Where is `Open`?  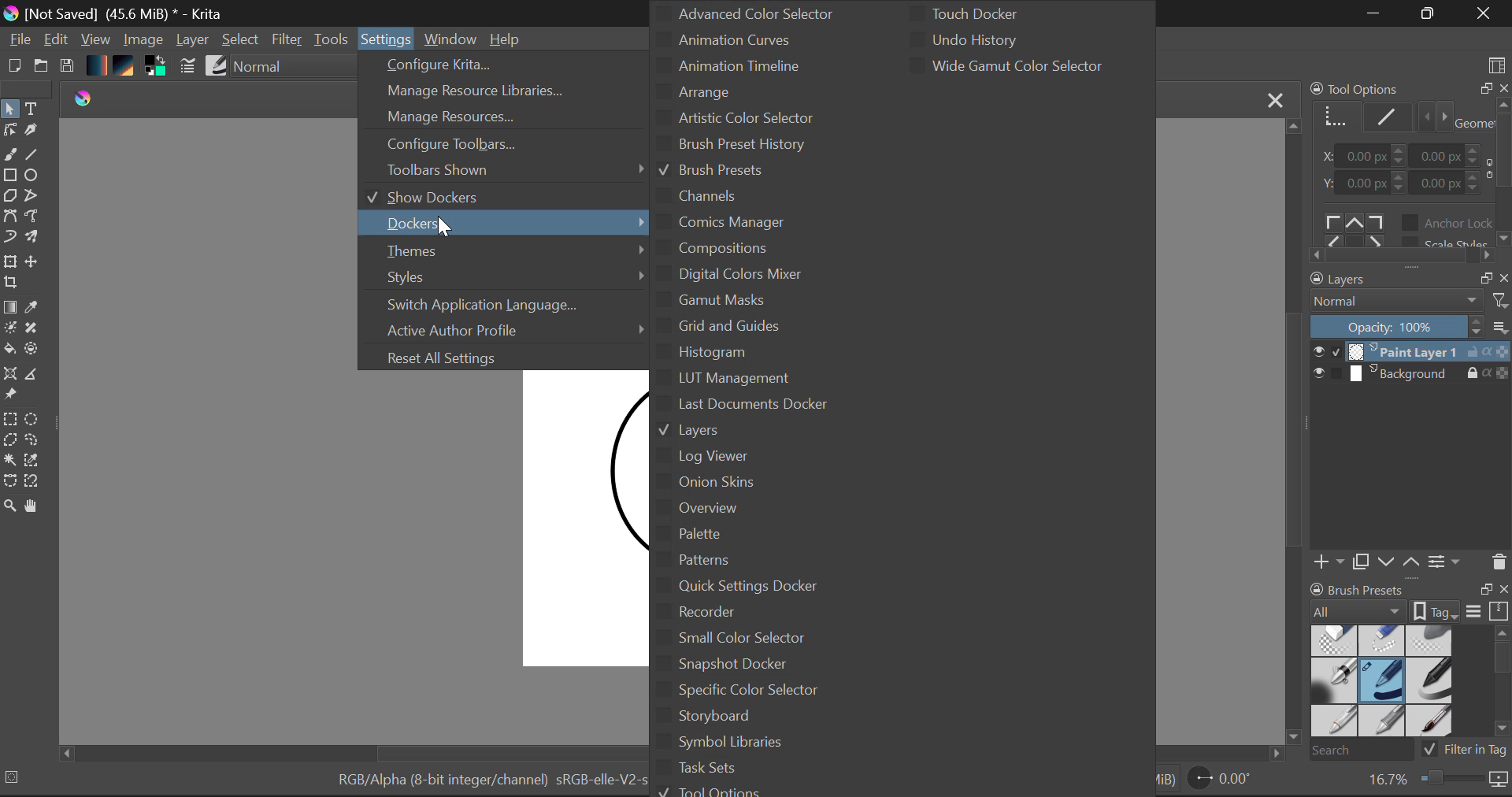 Open is located at coordinates (41, 67).